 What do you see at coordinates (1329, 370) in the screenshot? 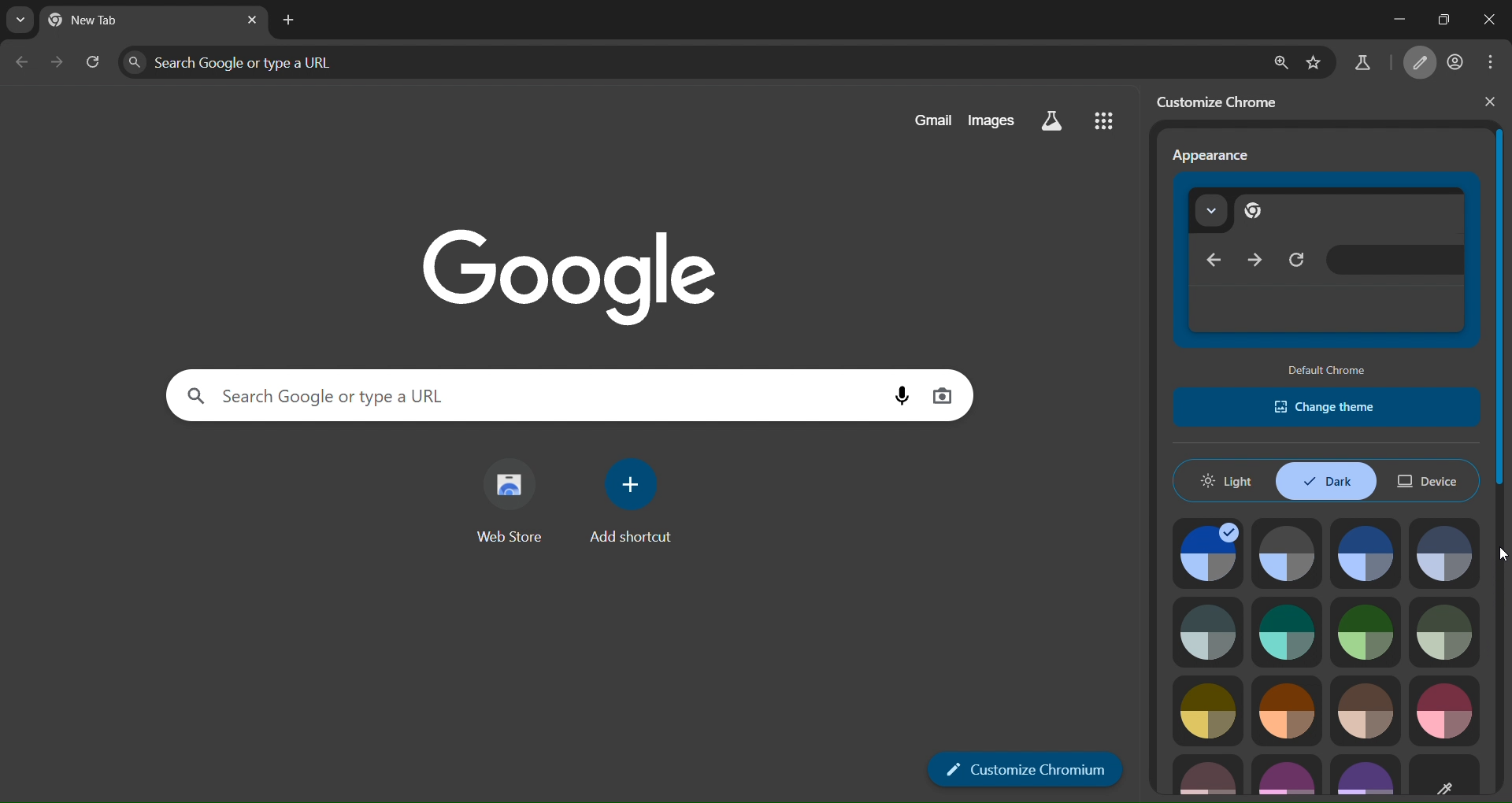
I see `default chrome` at bounding box center [1329, 370].